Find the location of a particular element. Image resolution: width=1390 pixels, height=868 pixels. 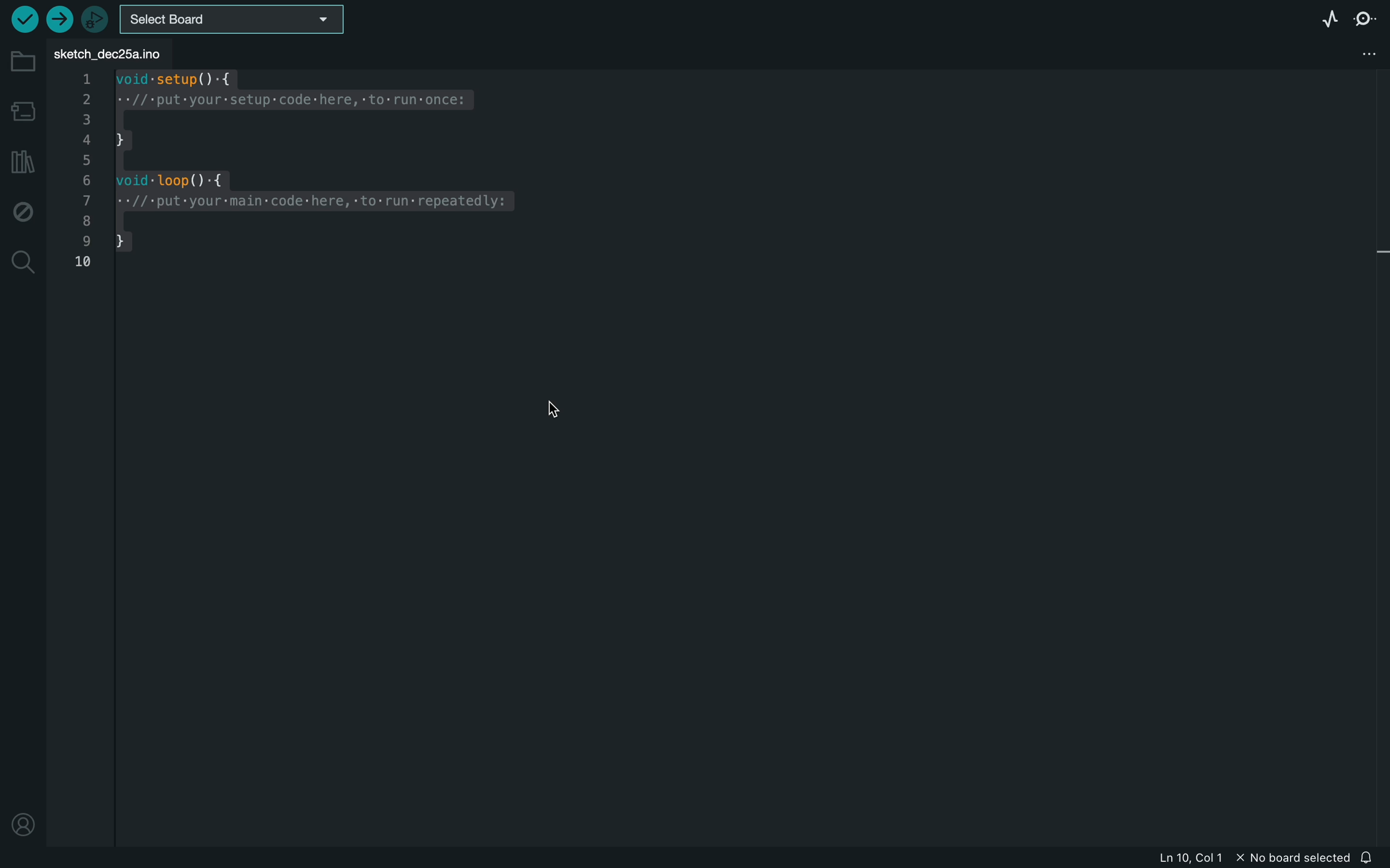

folder is located at coordinates (23, 62).